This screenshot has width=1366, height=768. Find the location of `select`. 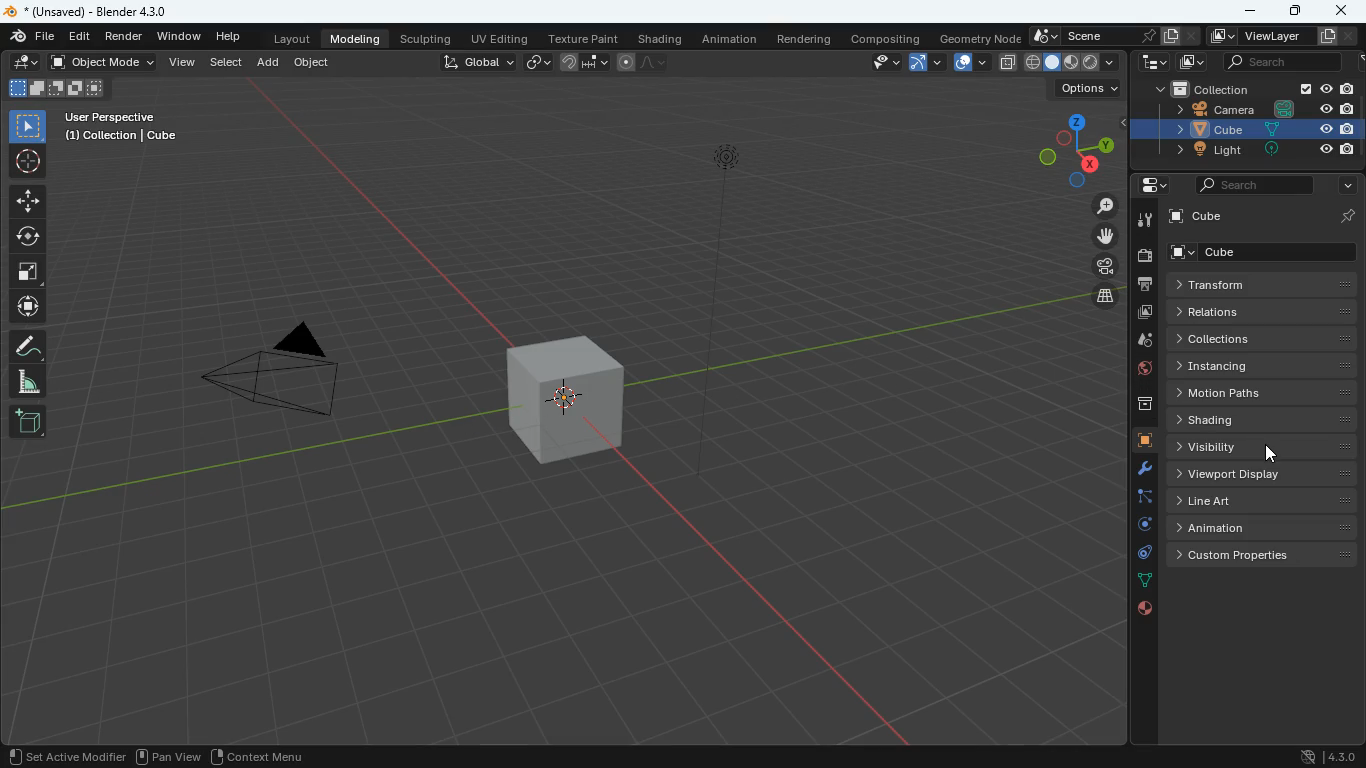

select is located at coordinates (227, 64).